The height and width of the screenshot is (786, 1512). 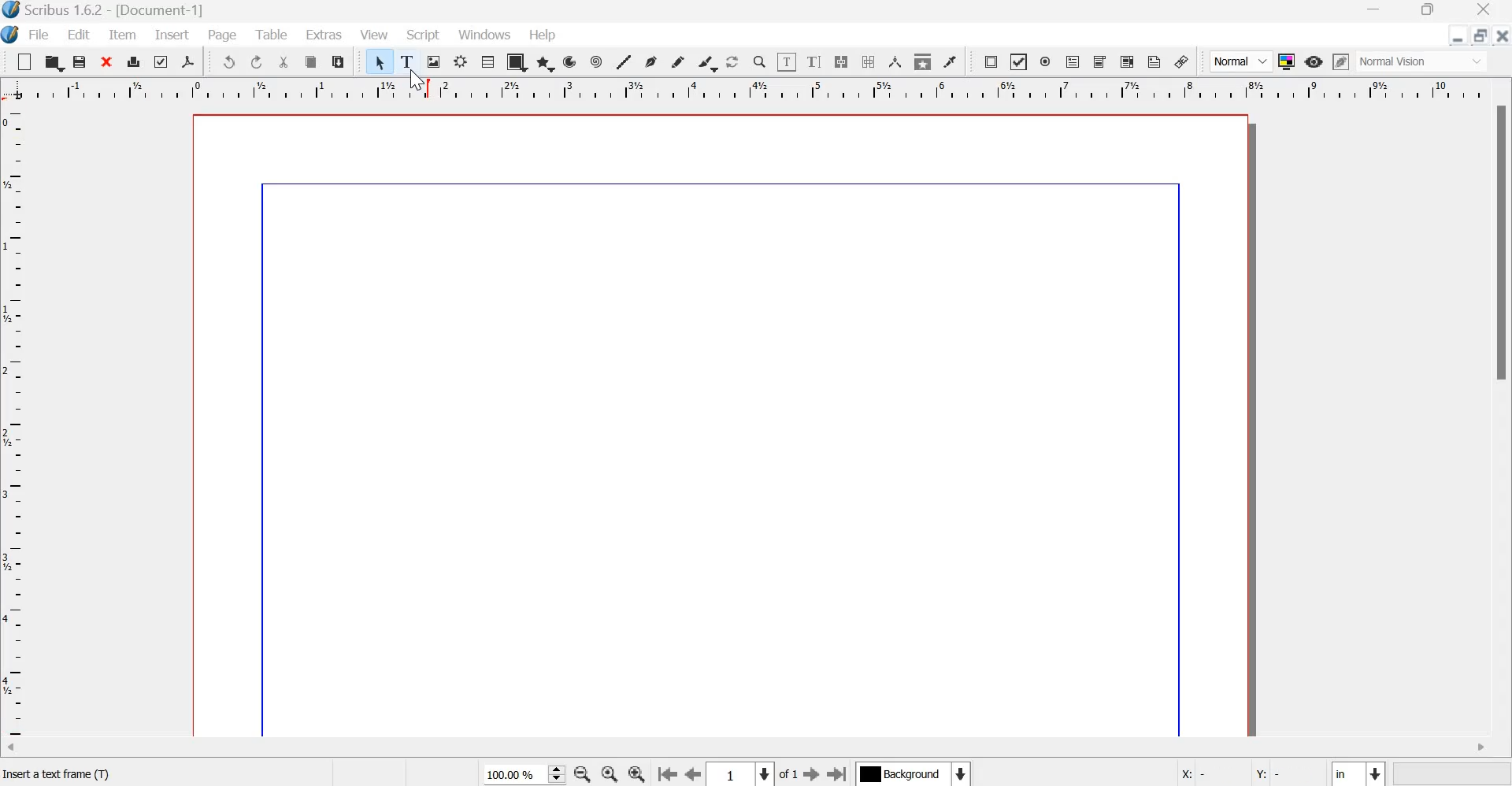 I want to click on Extras, so click(x=324, y=33).